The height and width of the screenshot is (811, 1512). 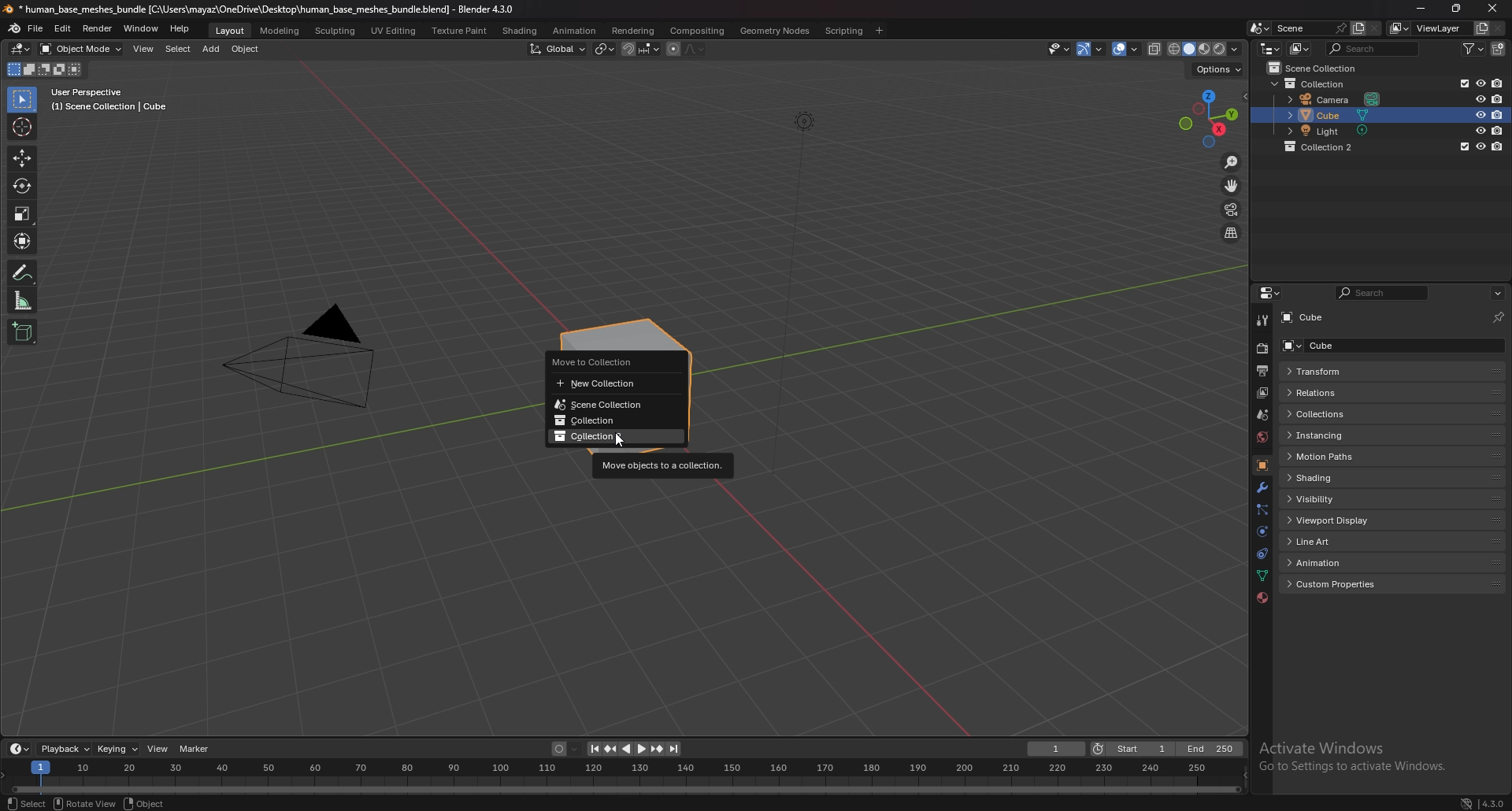 What do you see at coordinates (27, 802) in the screenshot?
I see `select` at bounding box center [27, 802].